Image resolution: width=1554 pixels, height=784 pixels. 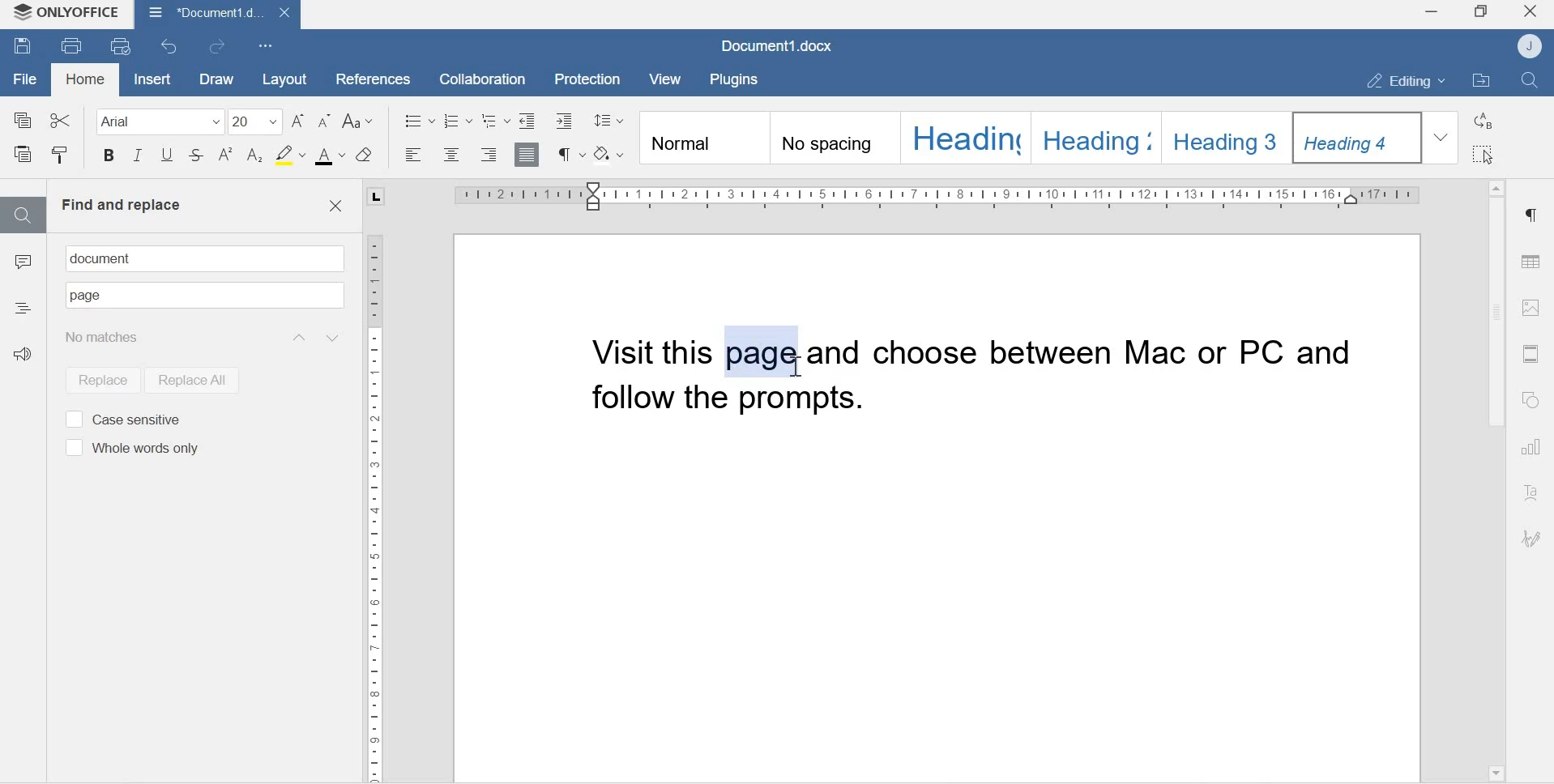 I want to click on page (new text), so click(x=762, y=352).